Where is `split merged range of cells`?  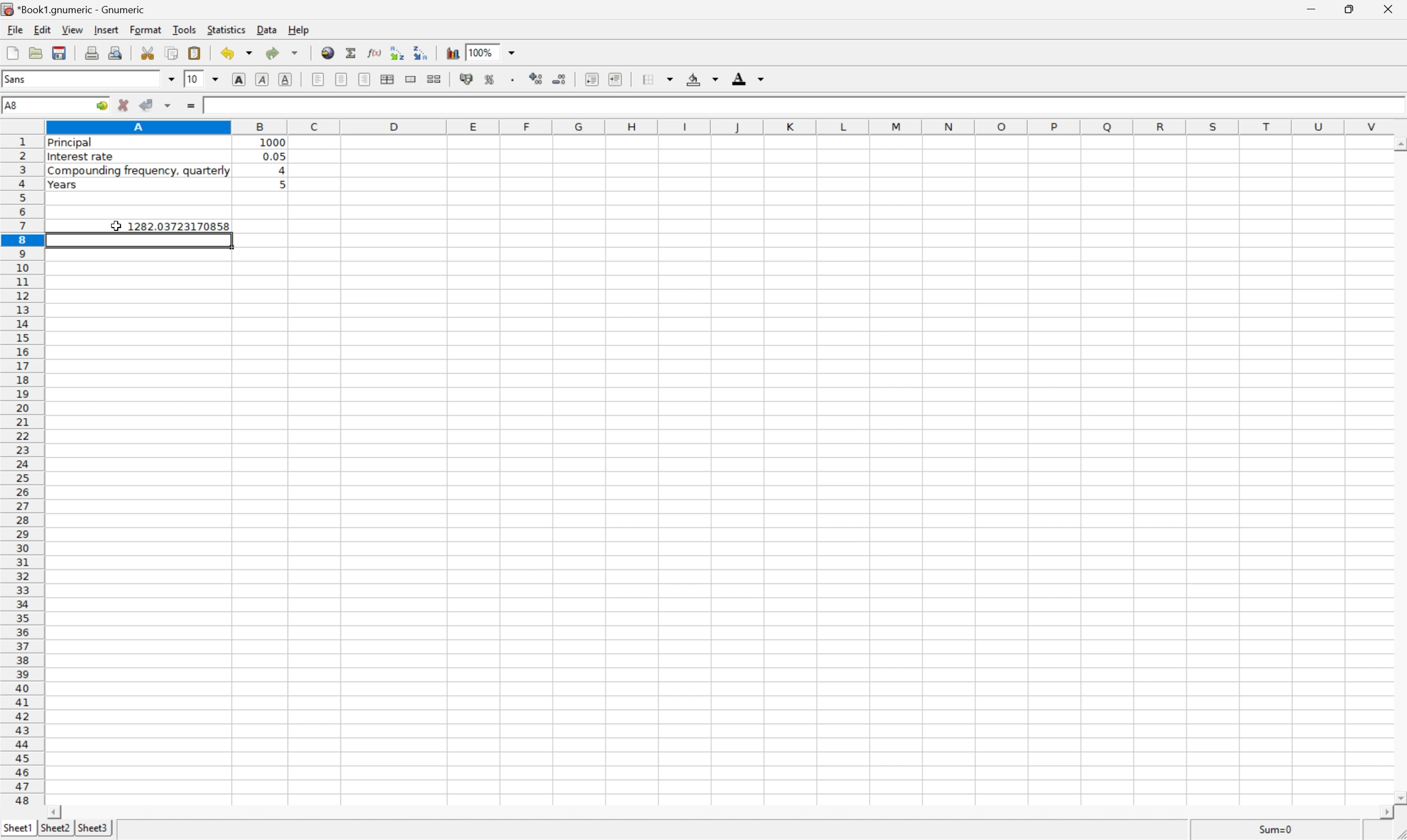 split merged range of cells is located at coordinates (434, 79).